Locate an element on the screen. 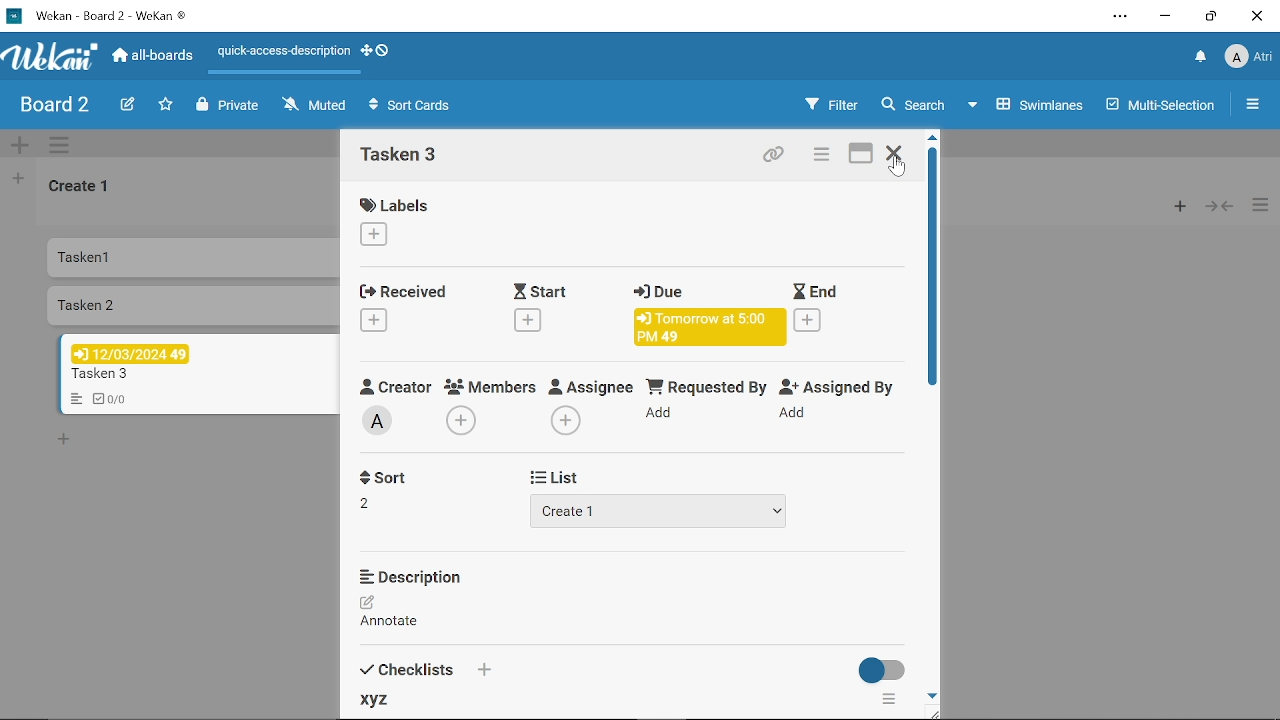  card name is located at coordinates (399, 157).